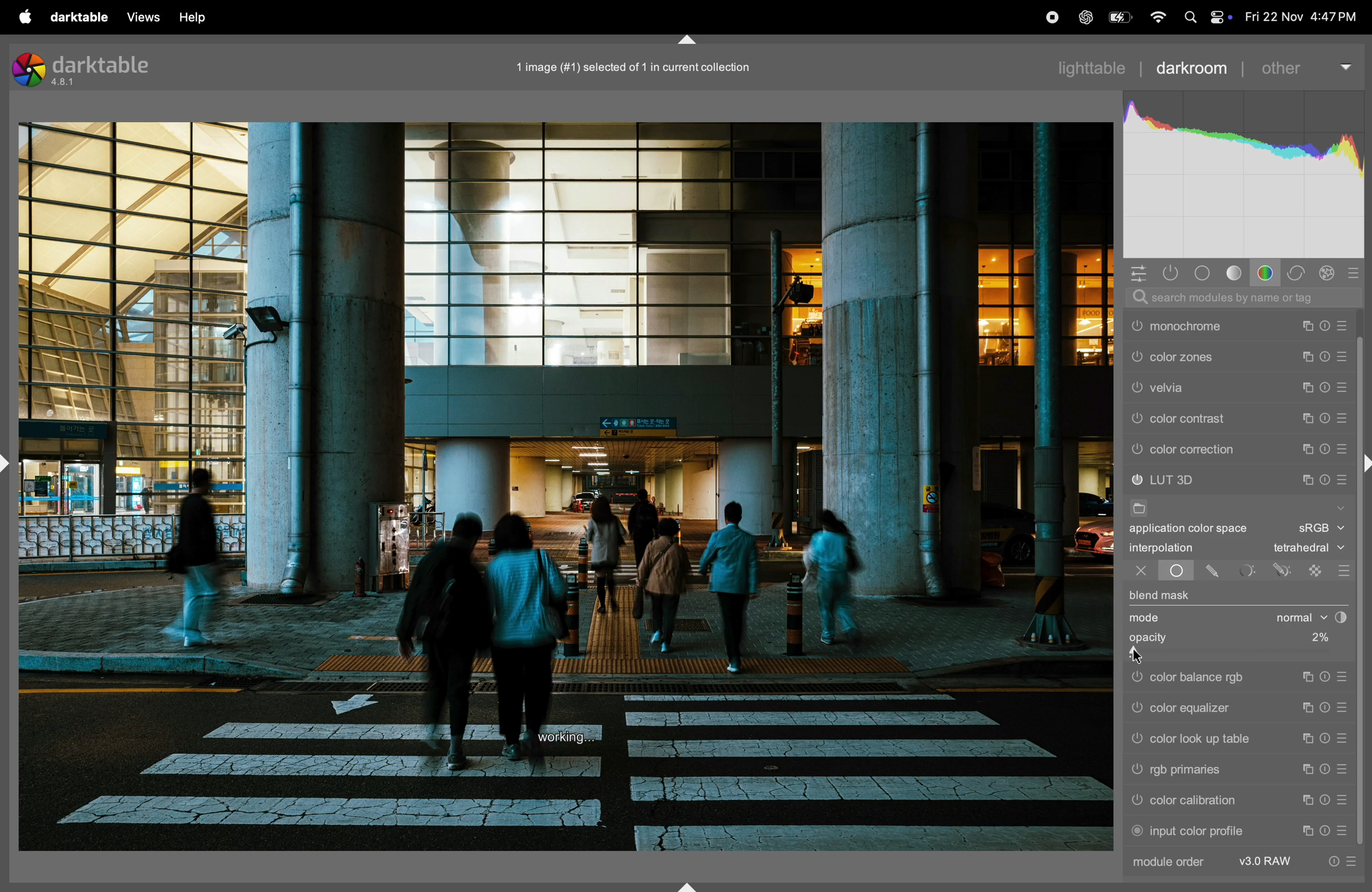  What do you see at coordinates (1143, 508) in the screenshot?
I see `file` at bounding box center [1143, 508].